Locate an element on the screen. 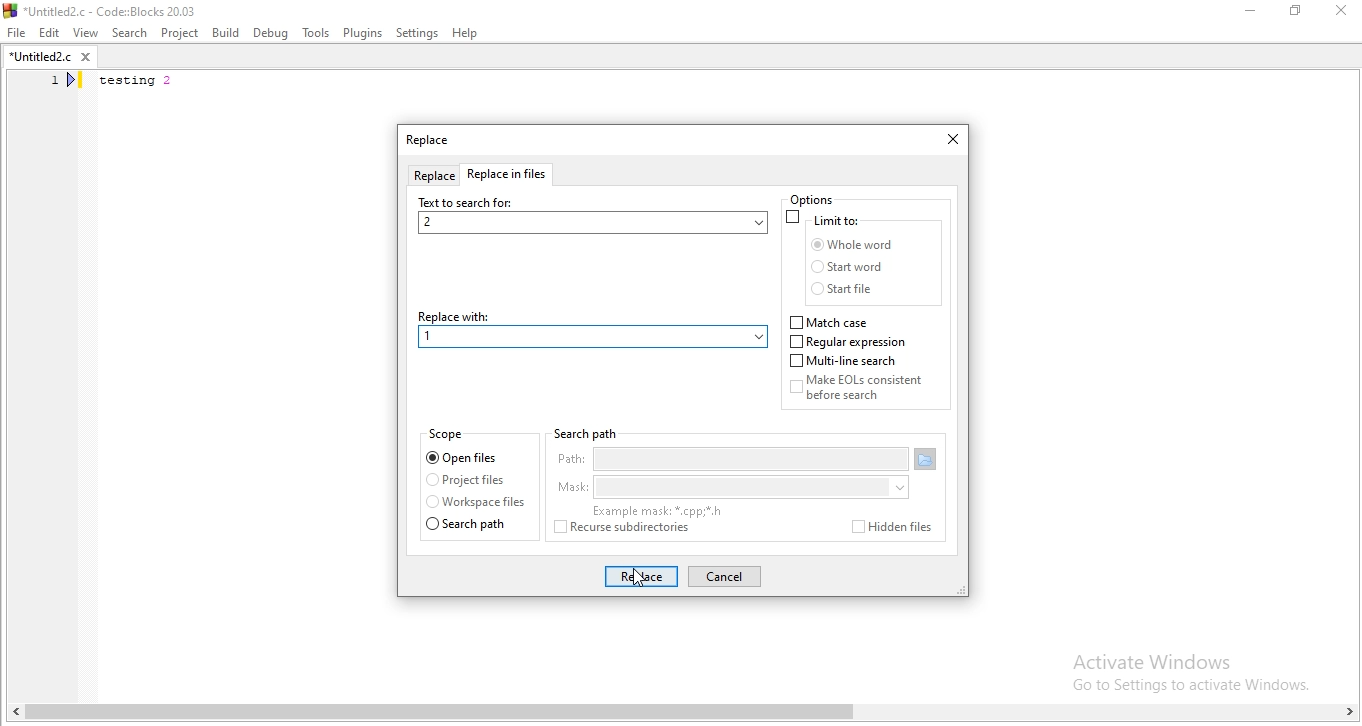 Image resolution: width=1362 pixels, height=726 pixels. open files is located at coordinates (465, 456).